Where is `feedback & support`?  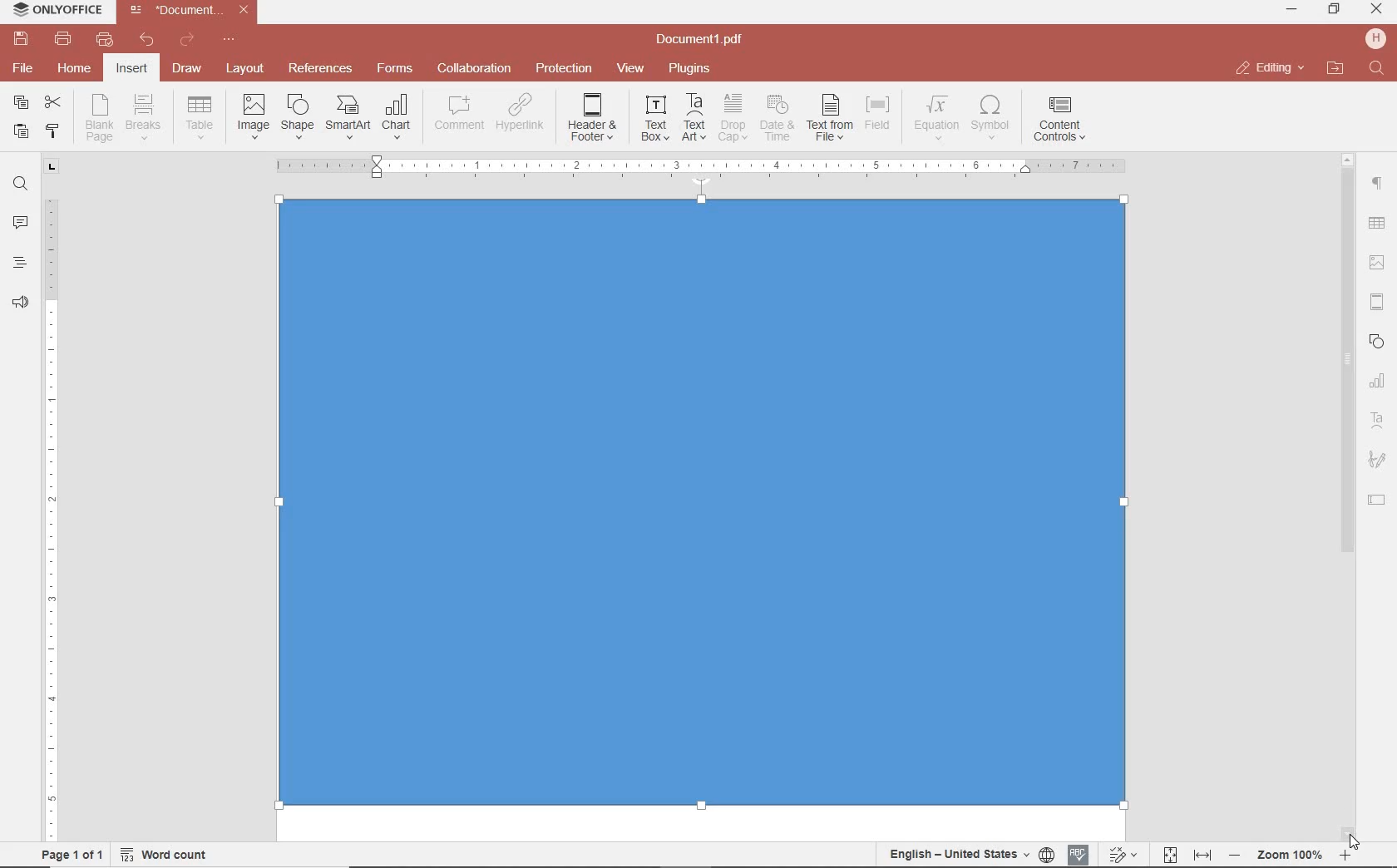
feedback & support is located at coordinates (21, 303).